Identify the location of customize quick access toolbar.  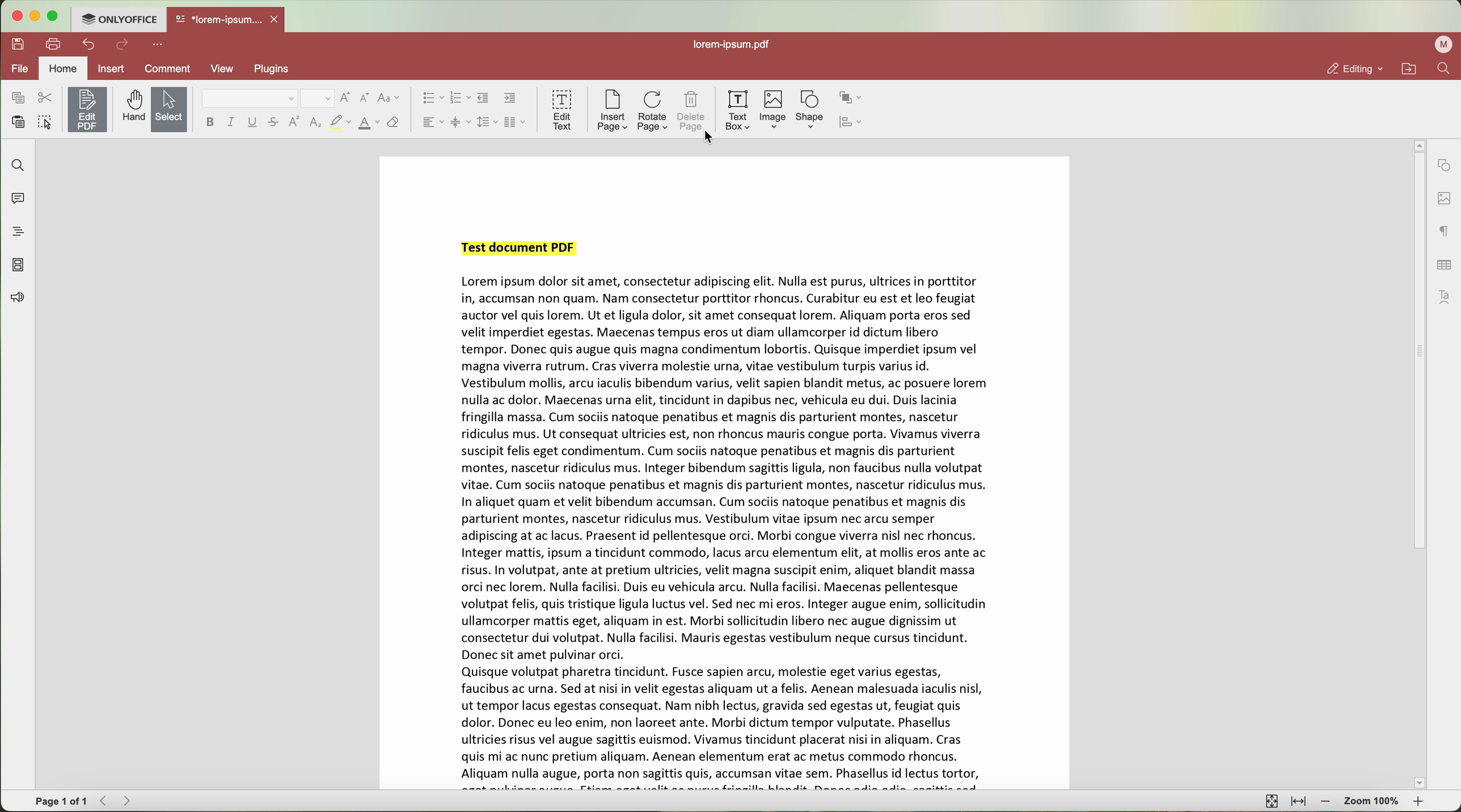
(160, 44).